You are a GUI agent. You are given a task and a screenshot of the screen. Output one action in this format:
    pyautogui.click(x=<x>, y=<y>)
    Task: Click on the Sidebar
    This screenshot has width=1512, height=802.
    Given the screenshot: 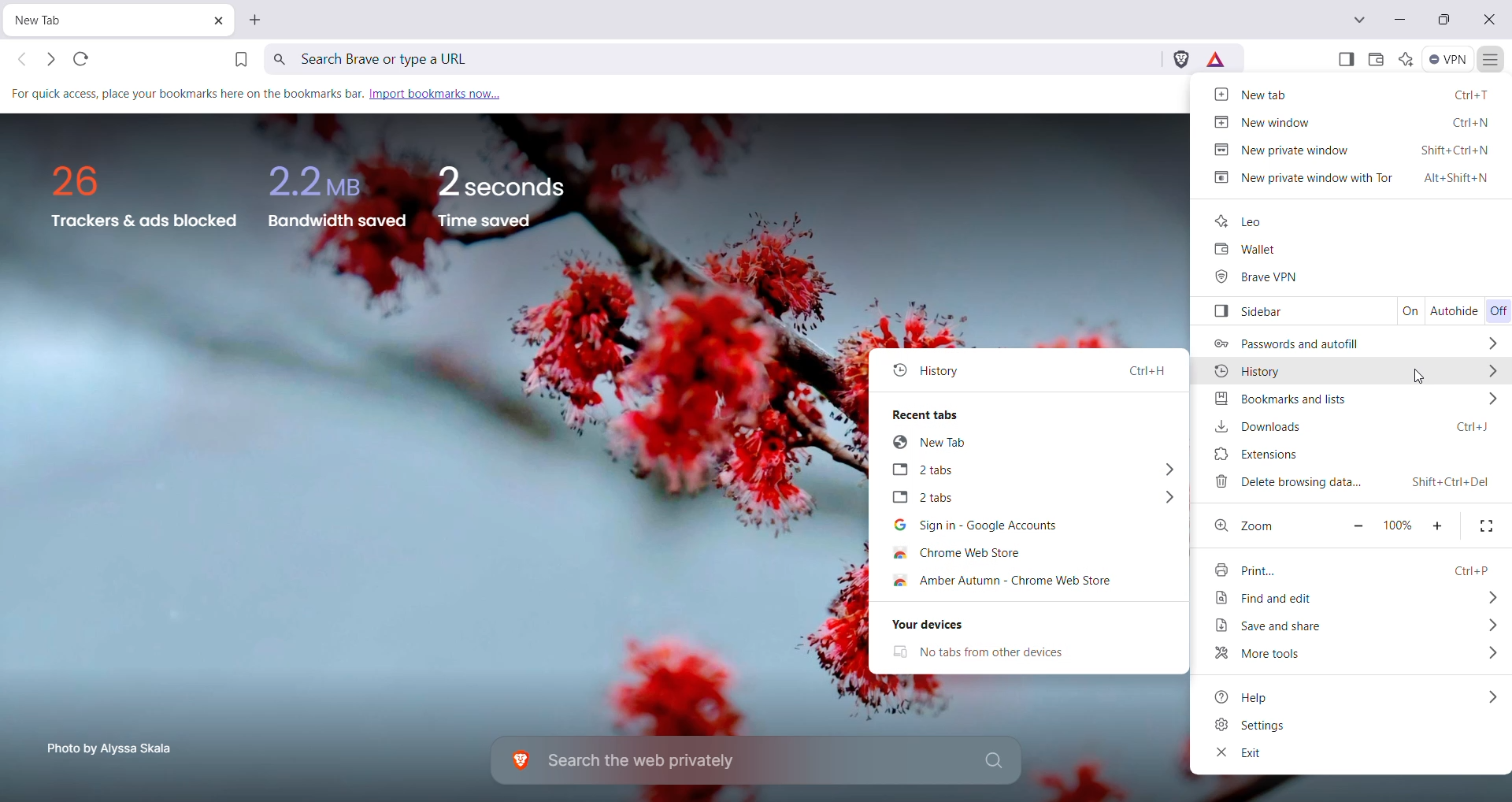 What is the action you would take?
    pyautogui.click(x=1291, y=312)
    